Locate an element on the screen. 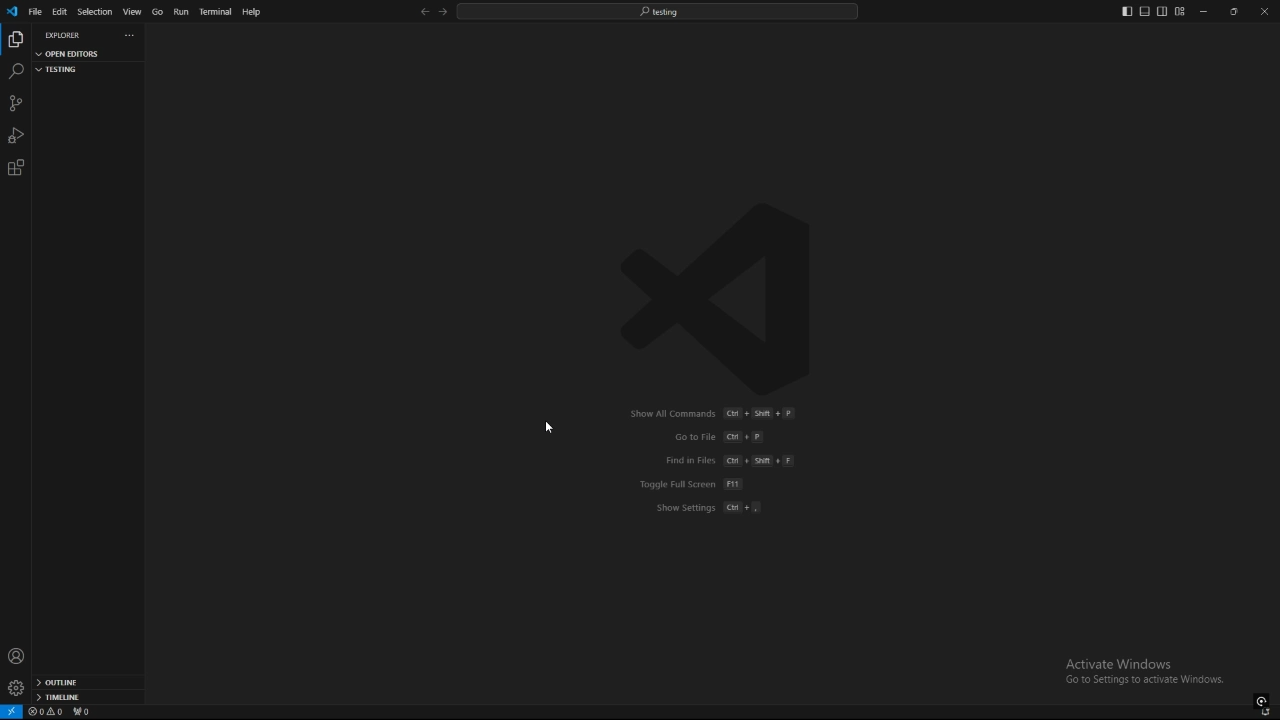 Image resolution: width=1280 pixels, height=720 pixels. go is located at coordinates (157, 12).